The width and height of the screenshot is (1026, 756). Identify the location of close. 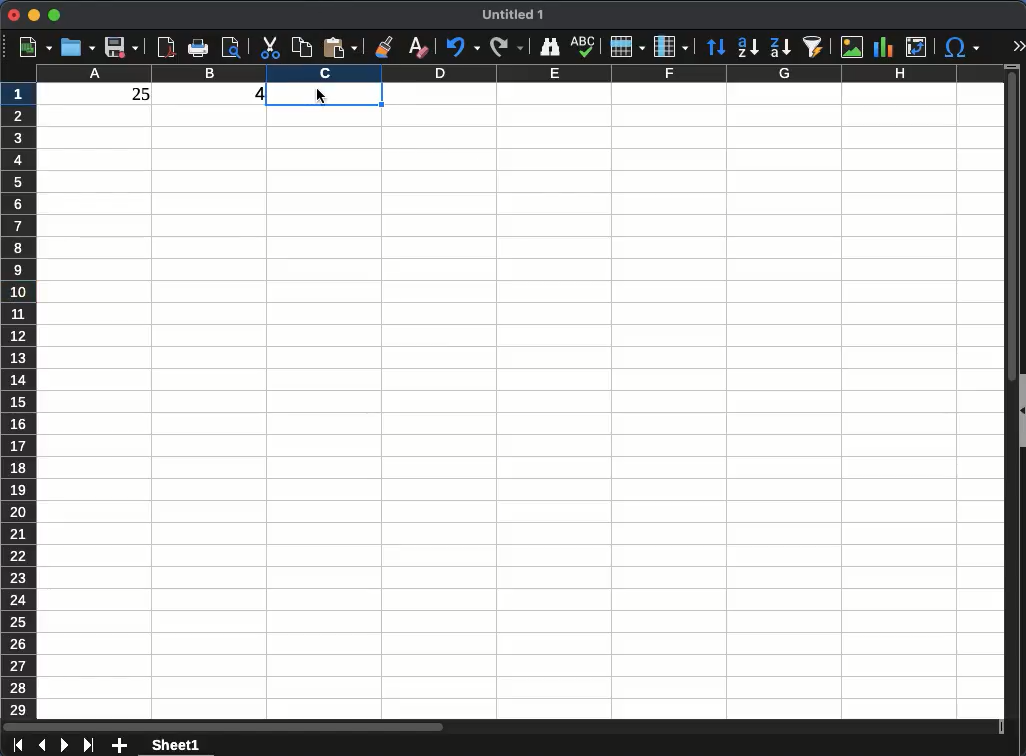
(15, 14).